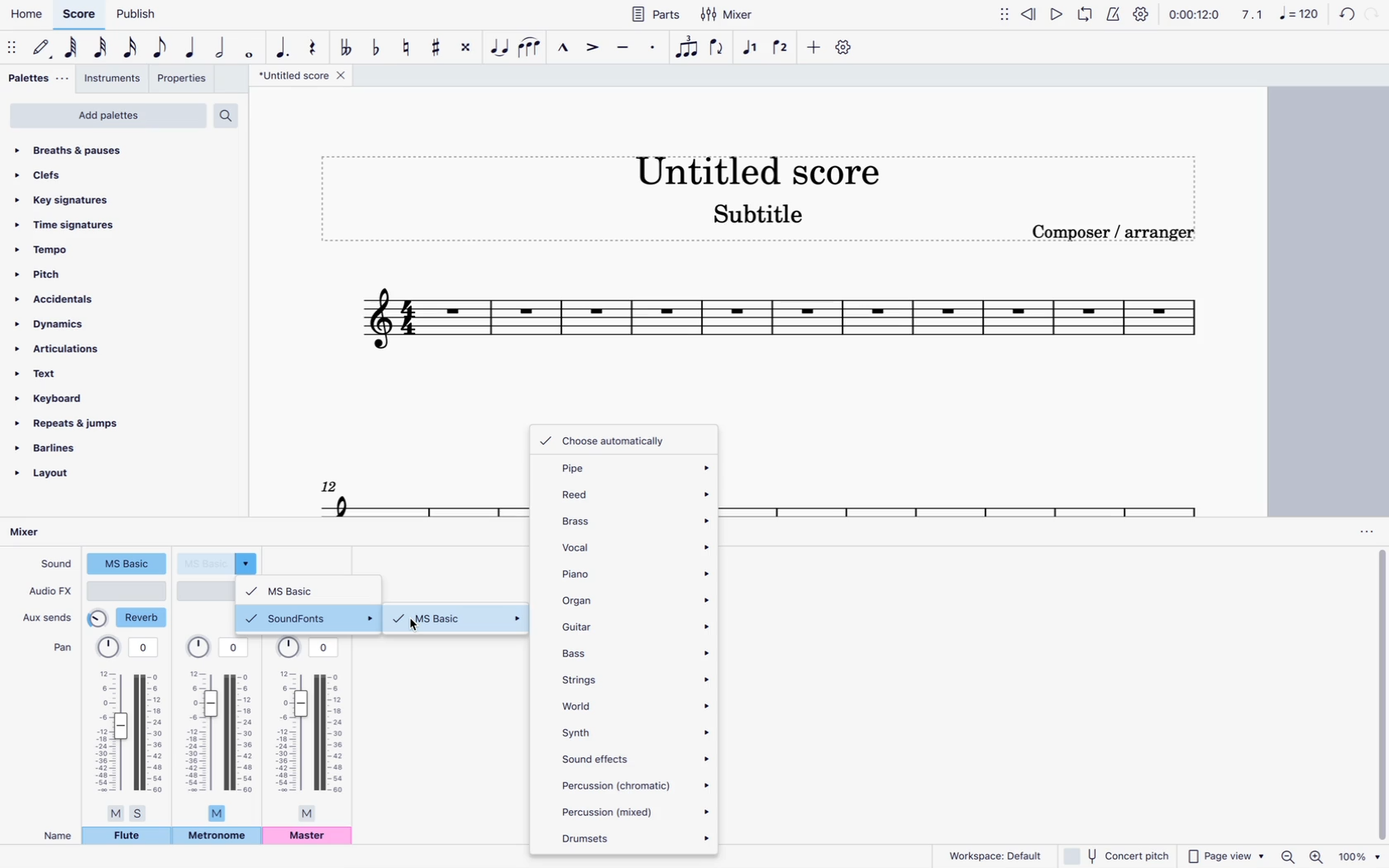 This screenshot has height=868, width=1389. Describe the element at coordinates (135, 16) in the screenshot. I see `publish` at that location.